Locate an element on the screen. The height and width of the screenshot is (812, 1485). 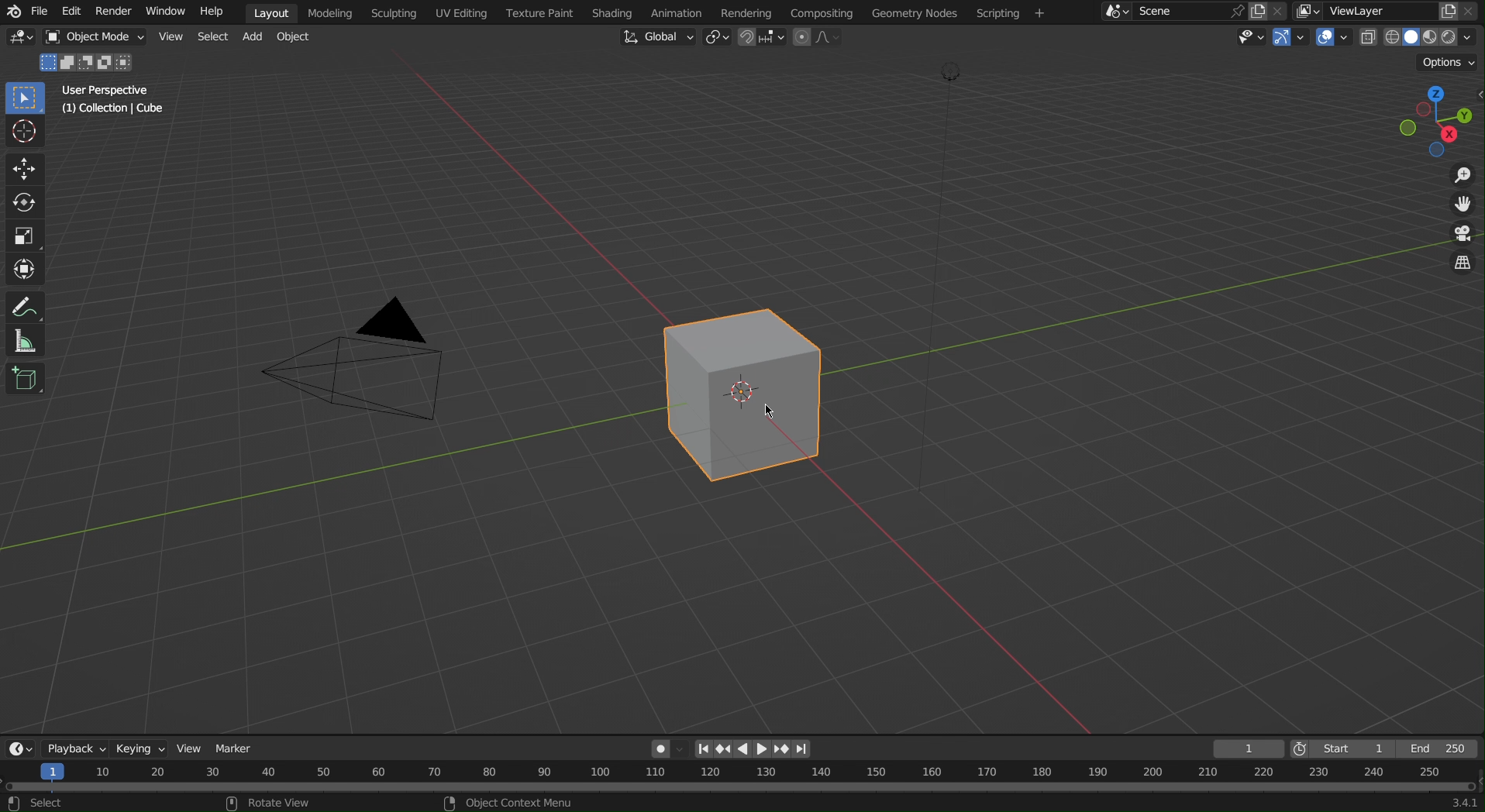
Show Gizmo is located at coordinates (1291, 40).